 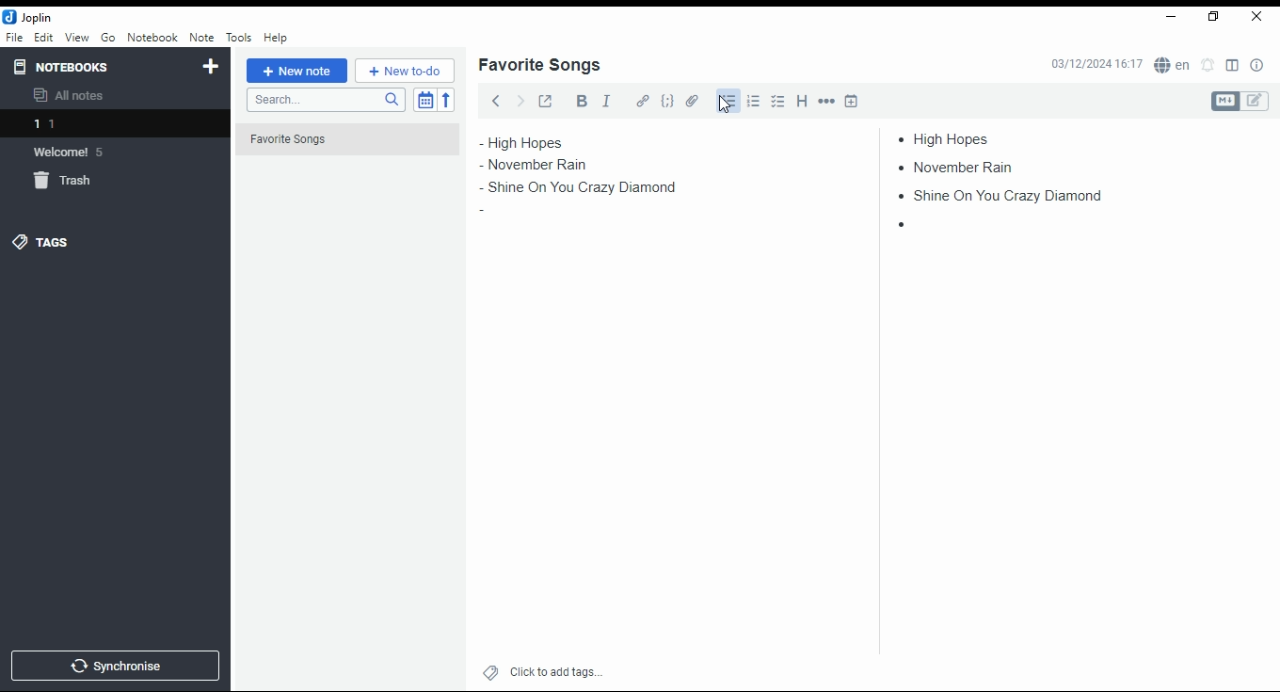 What do you see at coordinates (41, 241) in the screenshot?
I see `tags` at bounding box center [41, 241].